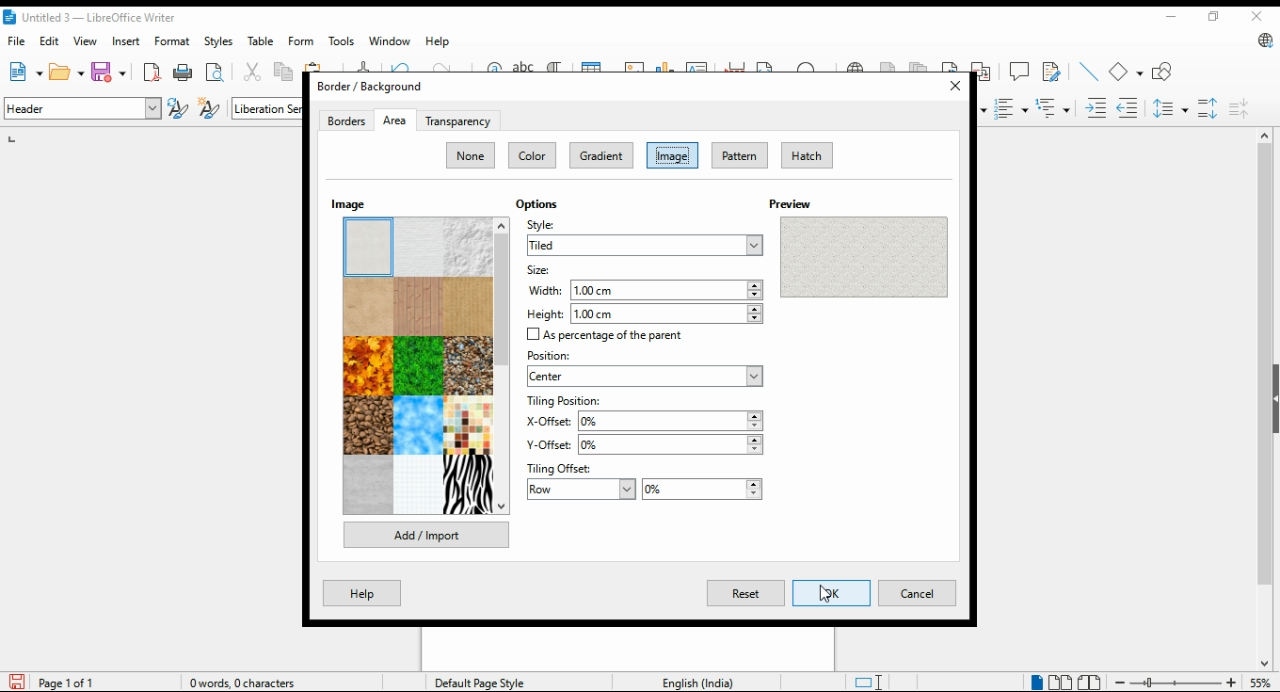 This screenshot has width=1280, height=692. What do you see at coordinates (469, 426) in the screenshot?
I see `image option 12` at bounding box center [469, 426].